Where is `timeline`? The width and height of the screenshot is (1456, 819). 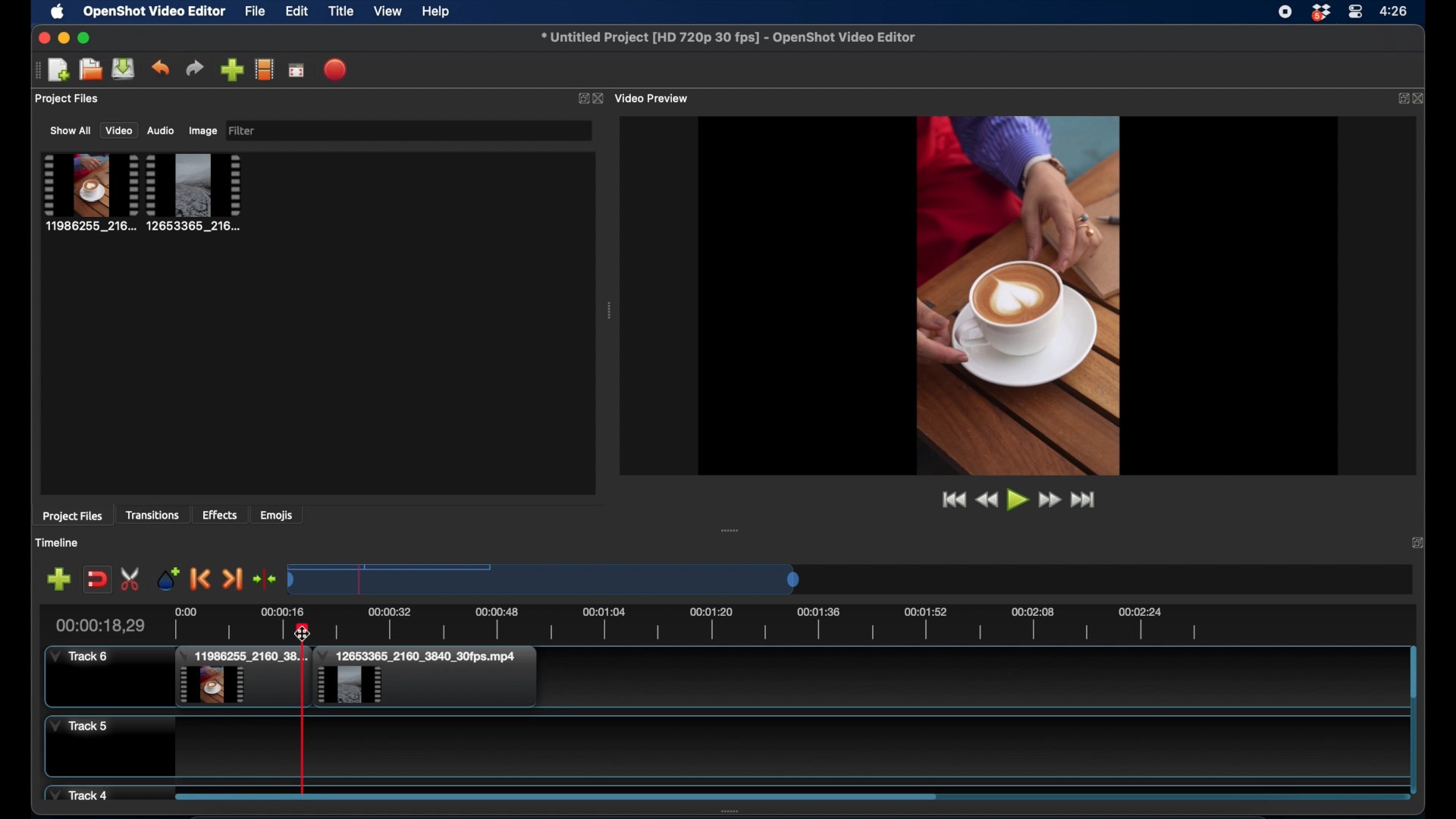 timeline is located at coordinates (58, 542).